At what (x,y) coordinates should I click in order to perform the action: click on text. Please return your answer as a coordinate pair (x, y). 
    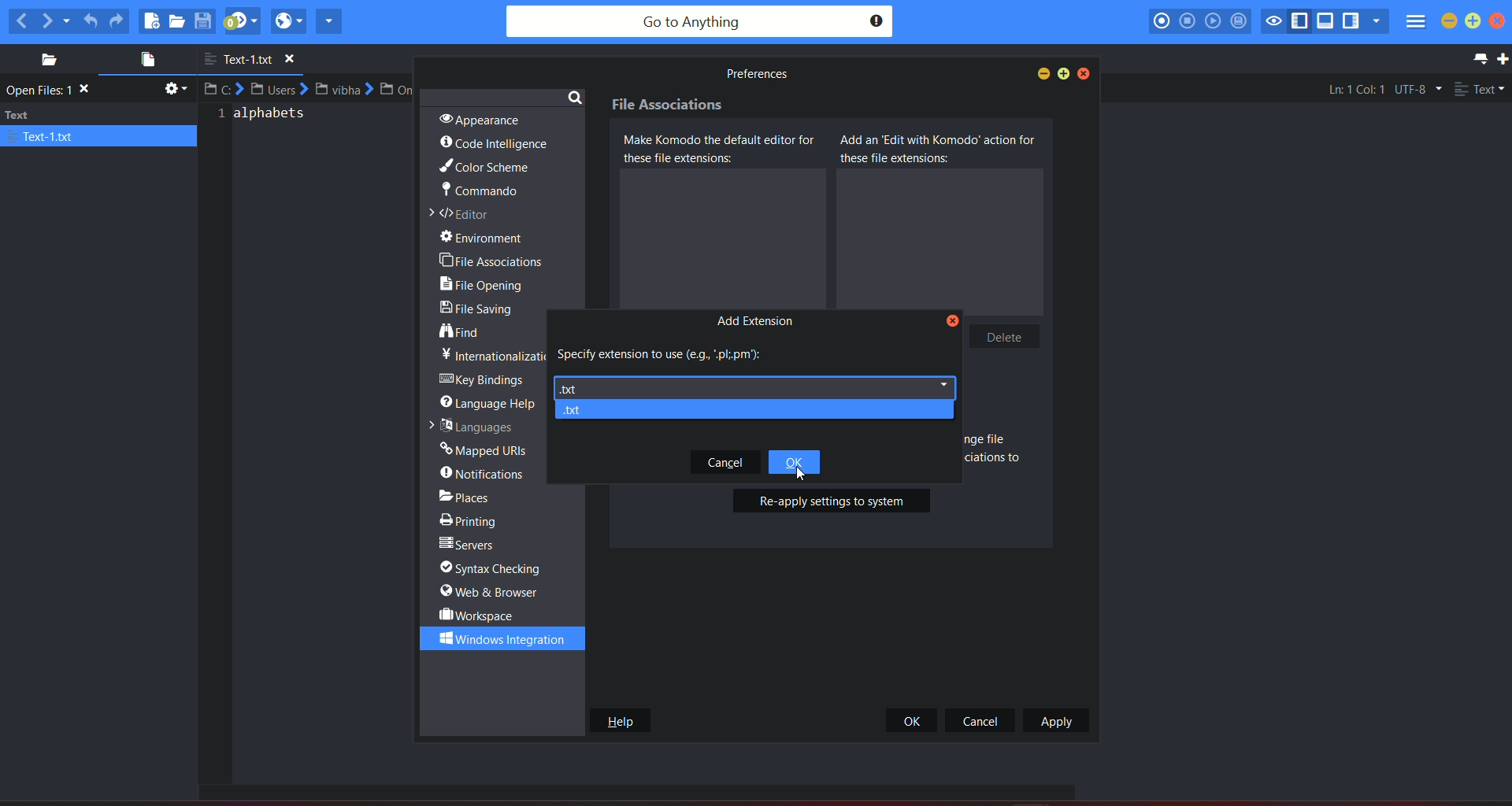
    Looking at the image, I should click on (266, 119).